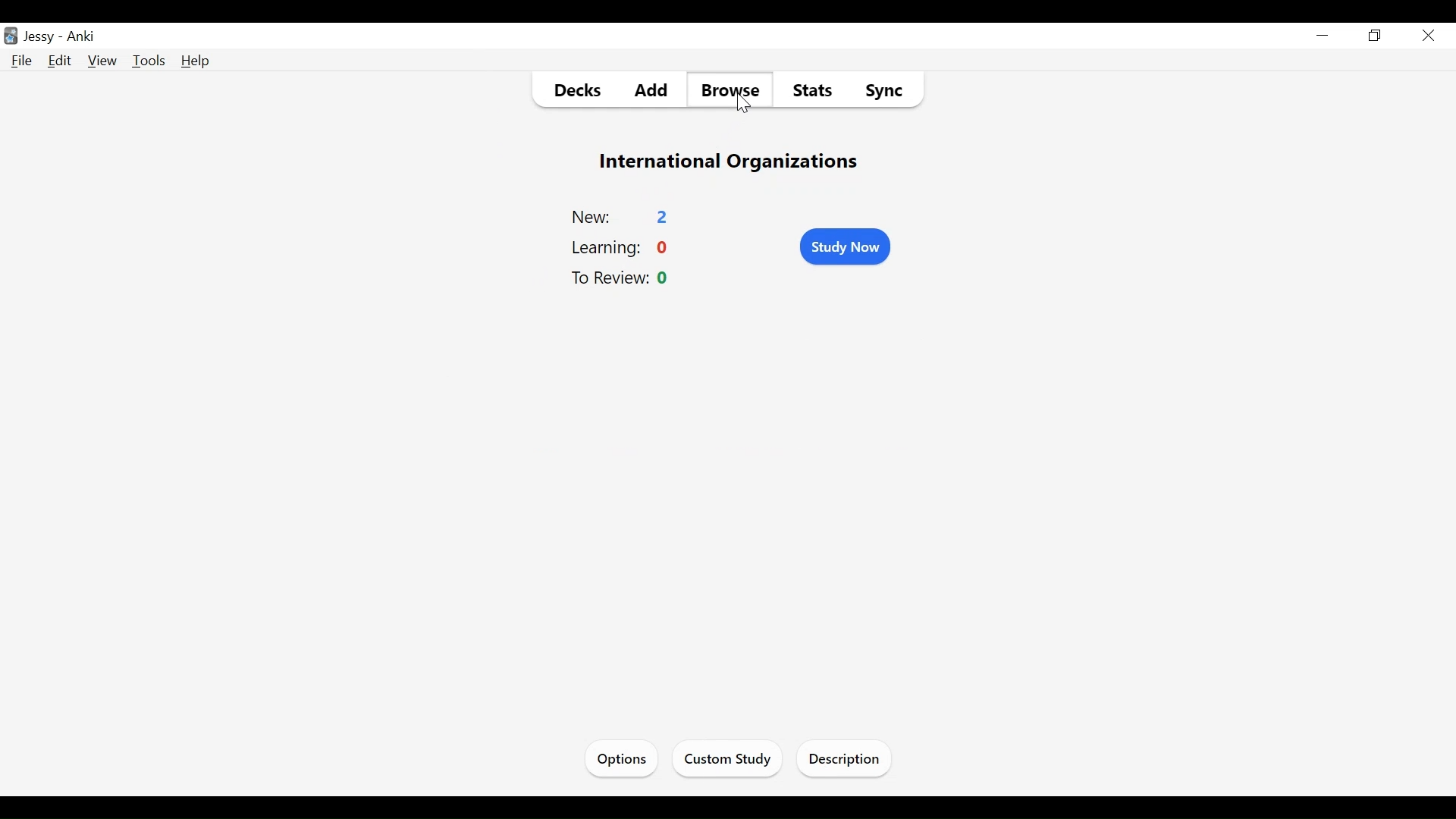 The width and height of the screenshot is (1456, 819). I want to click on Study now, so click(846, 246).